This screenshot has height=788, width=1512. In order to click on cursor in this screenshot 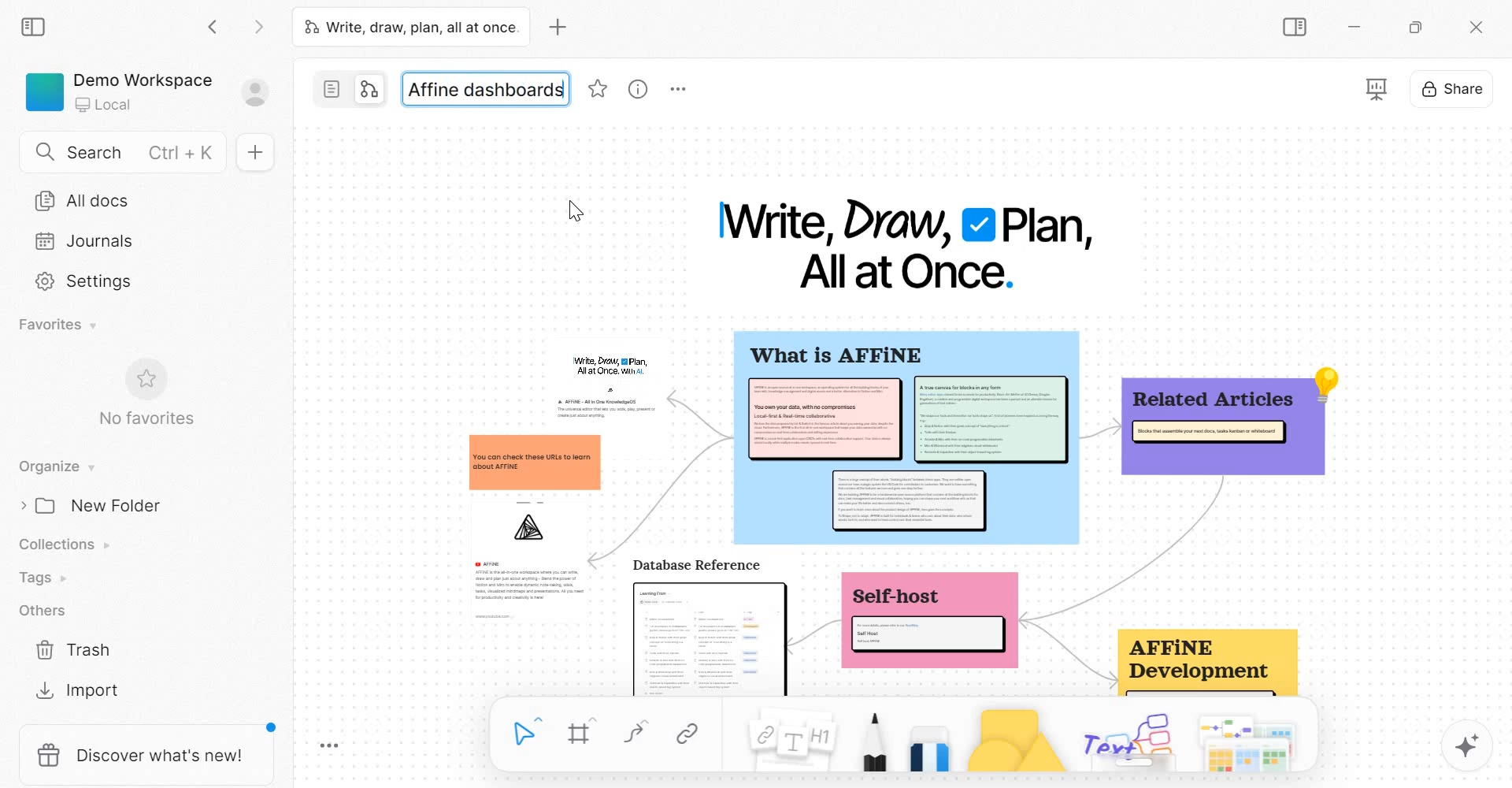, I will do `click(570, 210)`.